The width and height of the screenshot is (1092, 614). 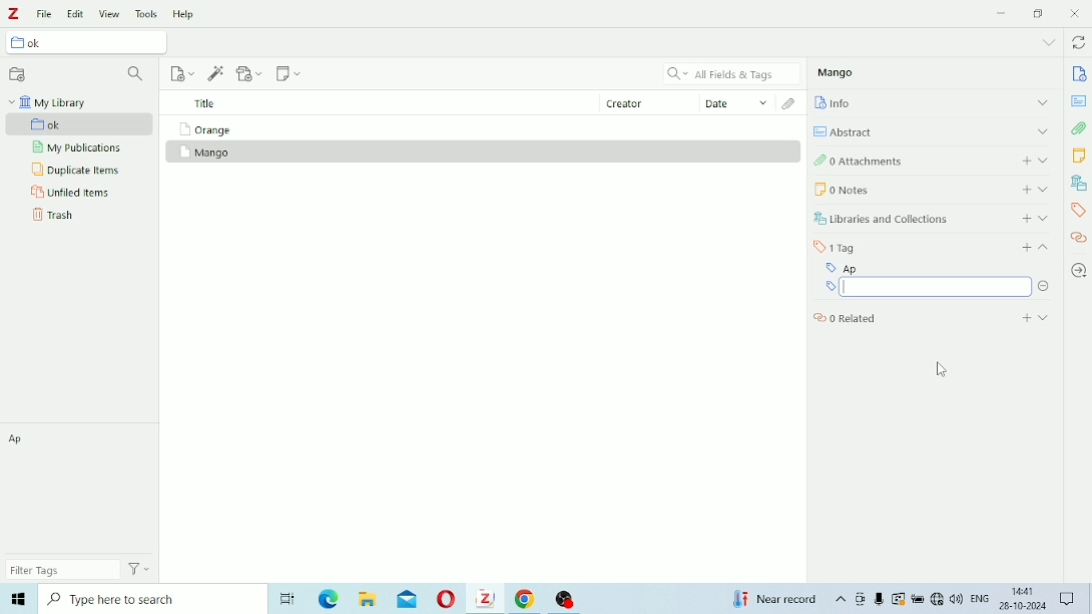 What do you see at coordinates (1024, 591) in the screenshot?
I see `14:41` at bounding box center [1024, 591].